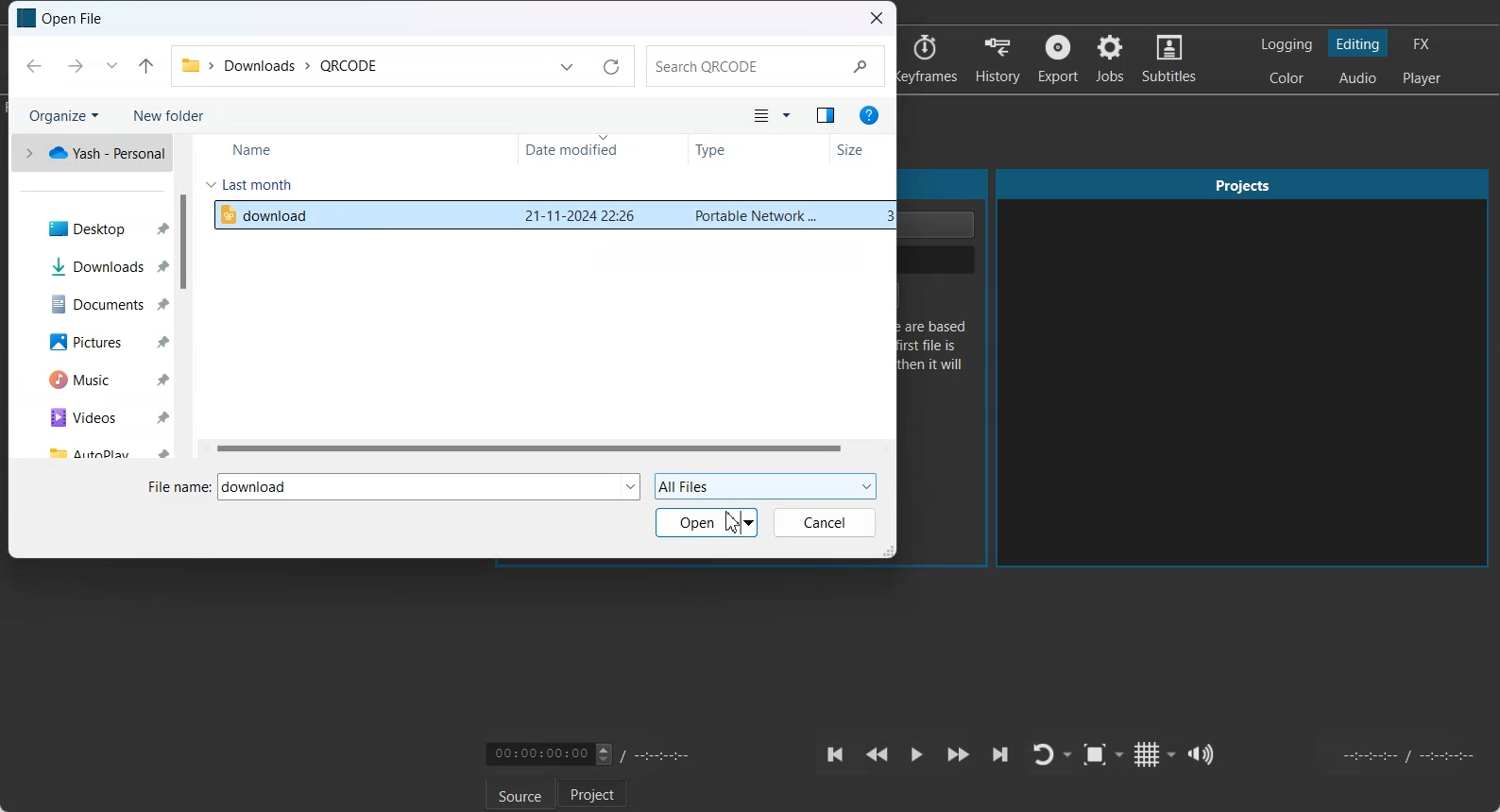 This screenshot has height=812, width=1500. Describe the element at coordinates (788, 116) in the screenshot. I see `More option` at that location.